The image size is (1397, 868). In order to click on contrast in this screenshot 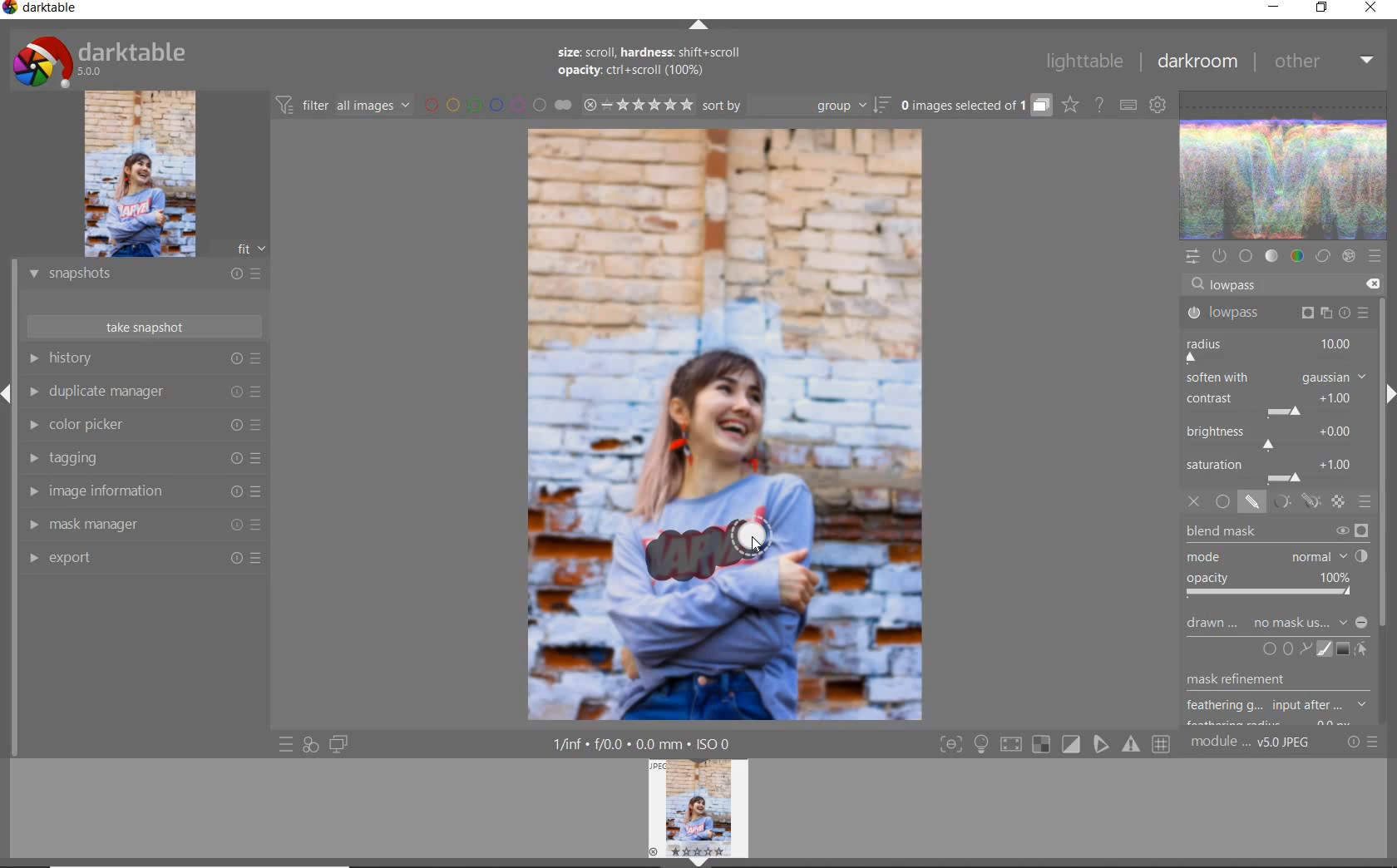, I will do `click(1272, 402)`.